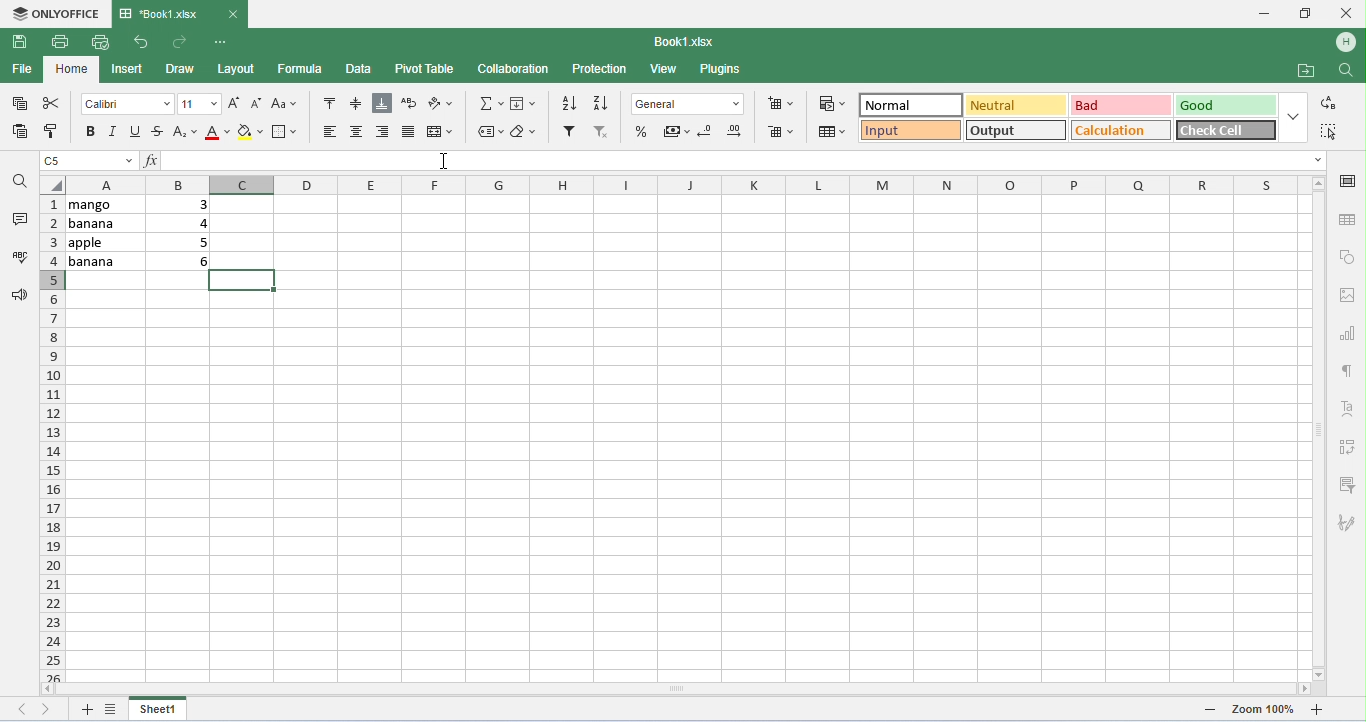 This screenshot has width=1366, height=722. Describe the element at coordinates (382, 133) in the screenshot. I see `align left` at that location.